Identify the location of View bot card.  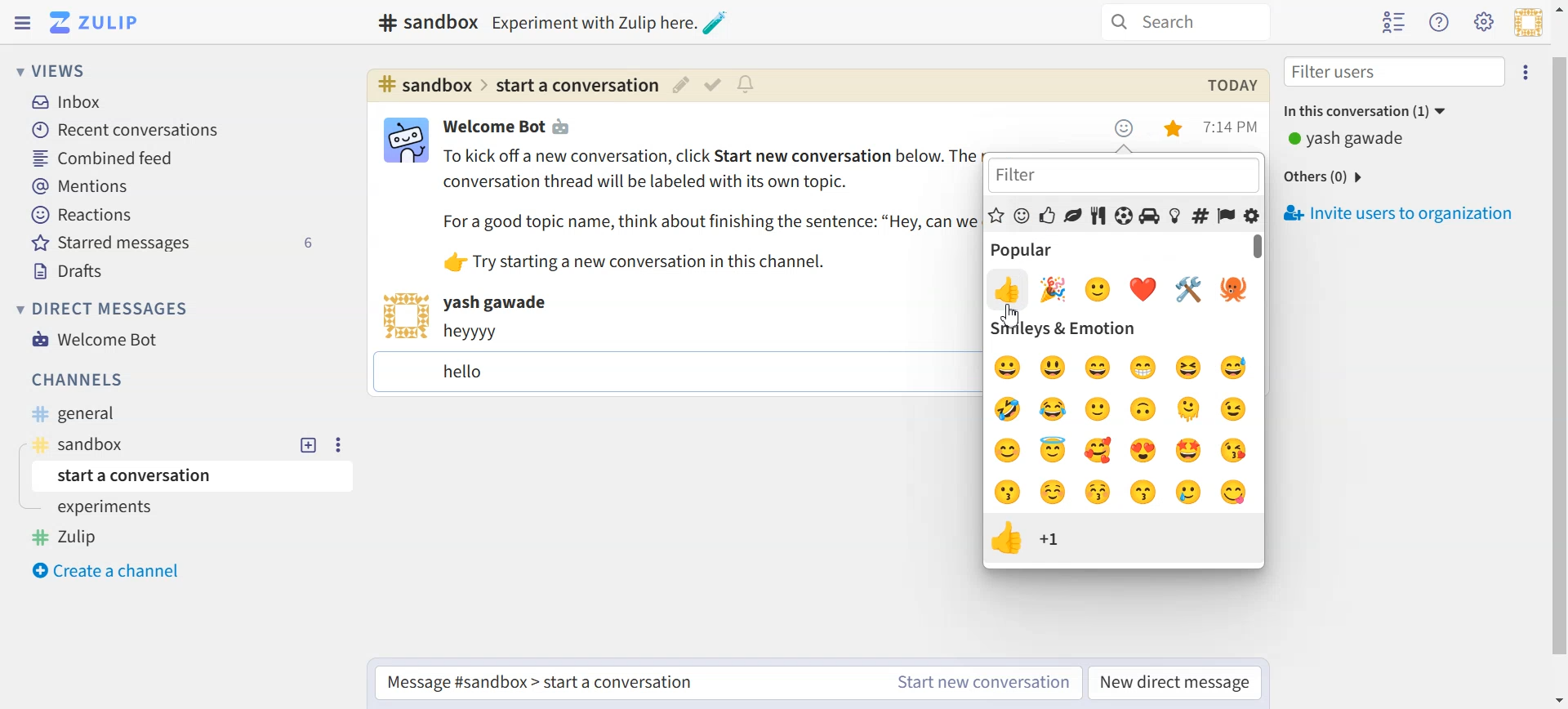
(403, 140).